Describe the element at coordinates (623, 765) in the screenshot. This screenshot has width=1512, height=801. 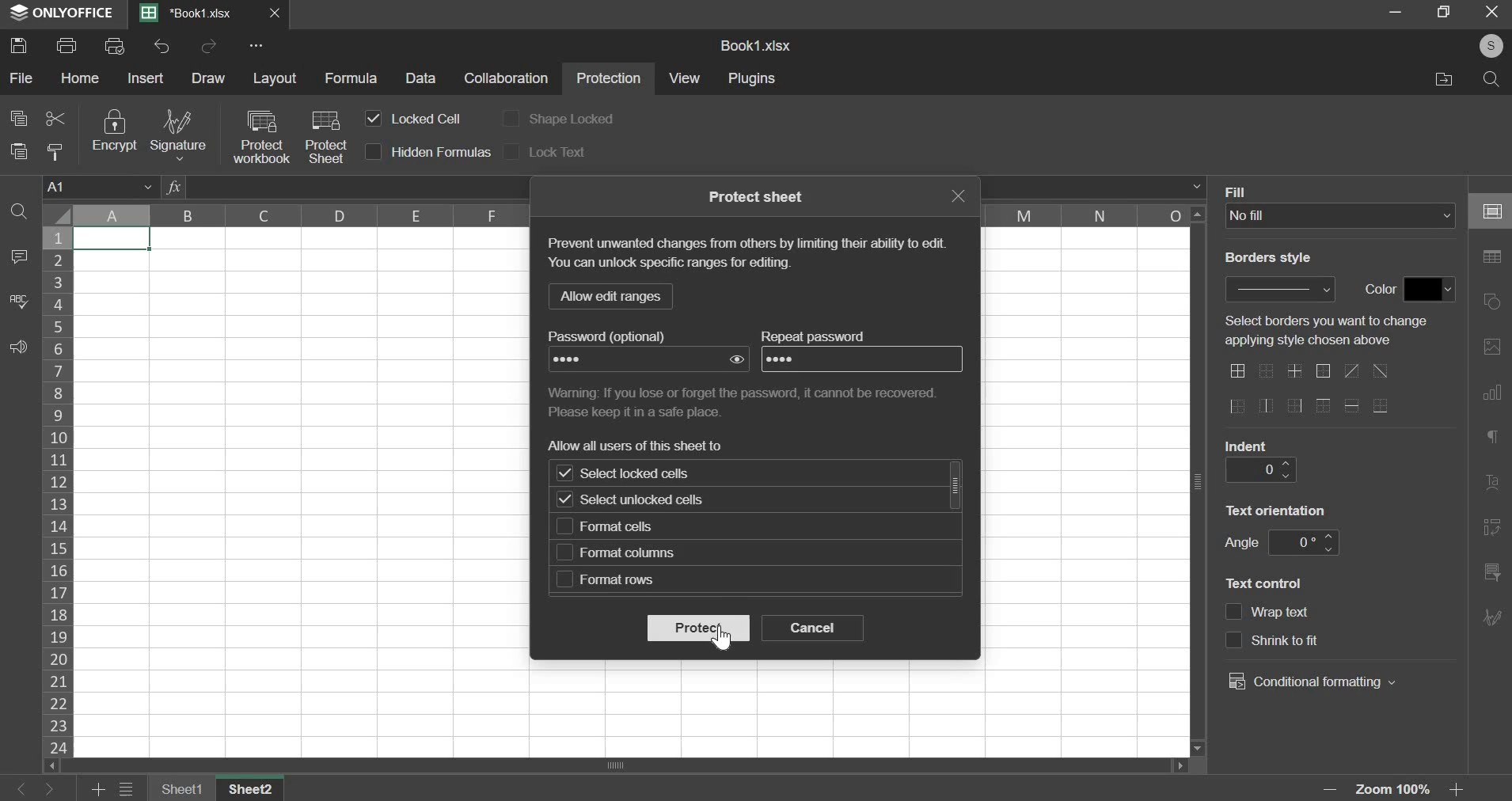
I see `scrollbar` at that location.